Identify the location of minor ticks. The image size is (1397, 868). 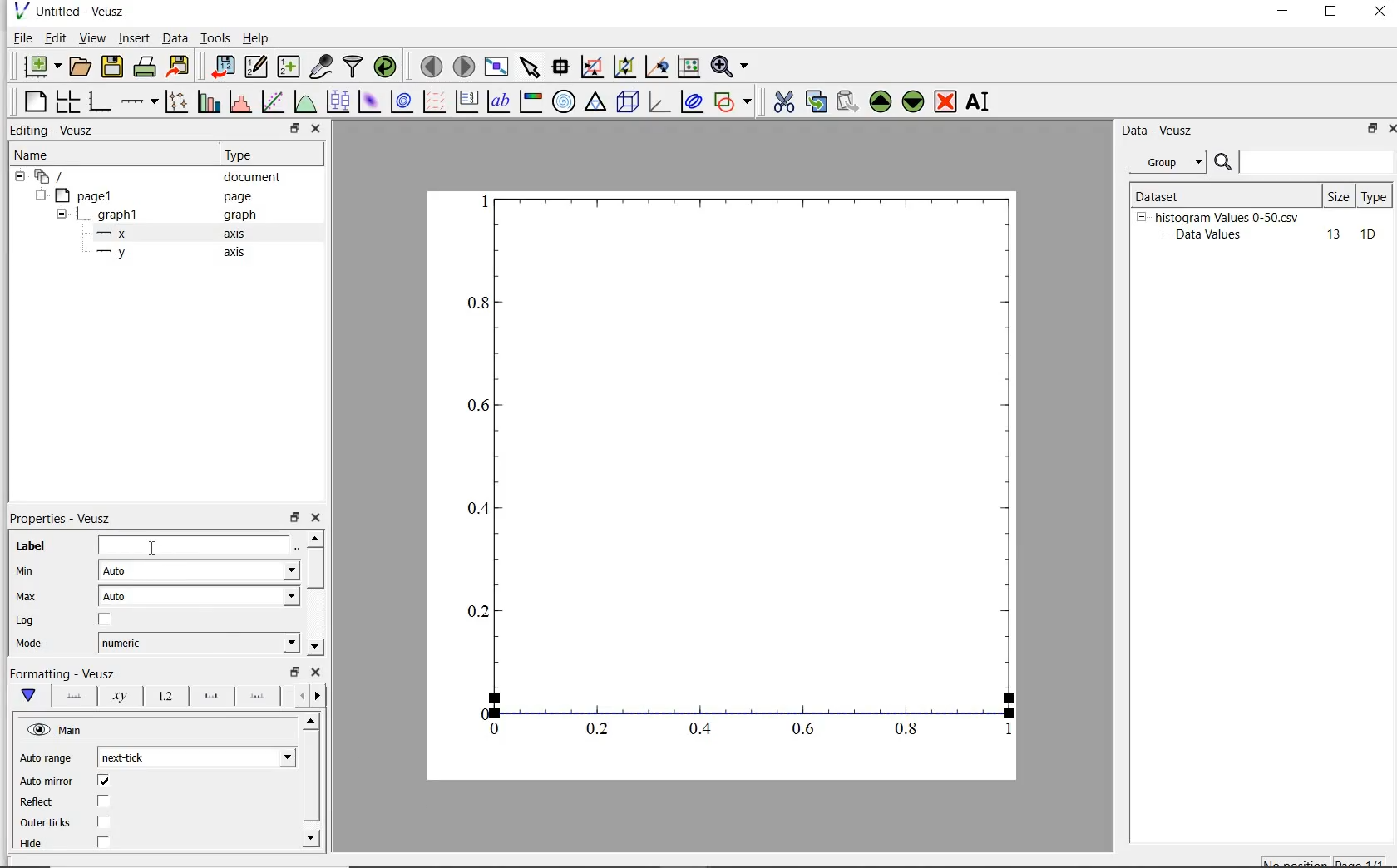
(258, 698).